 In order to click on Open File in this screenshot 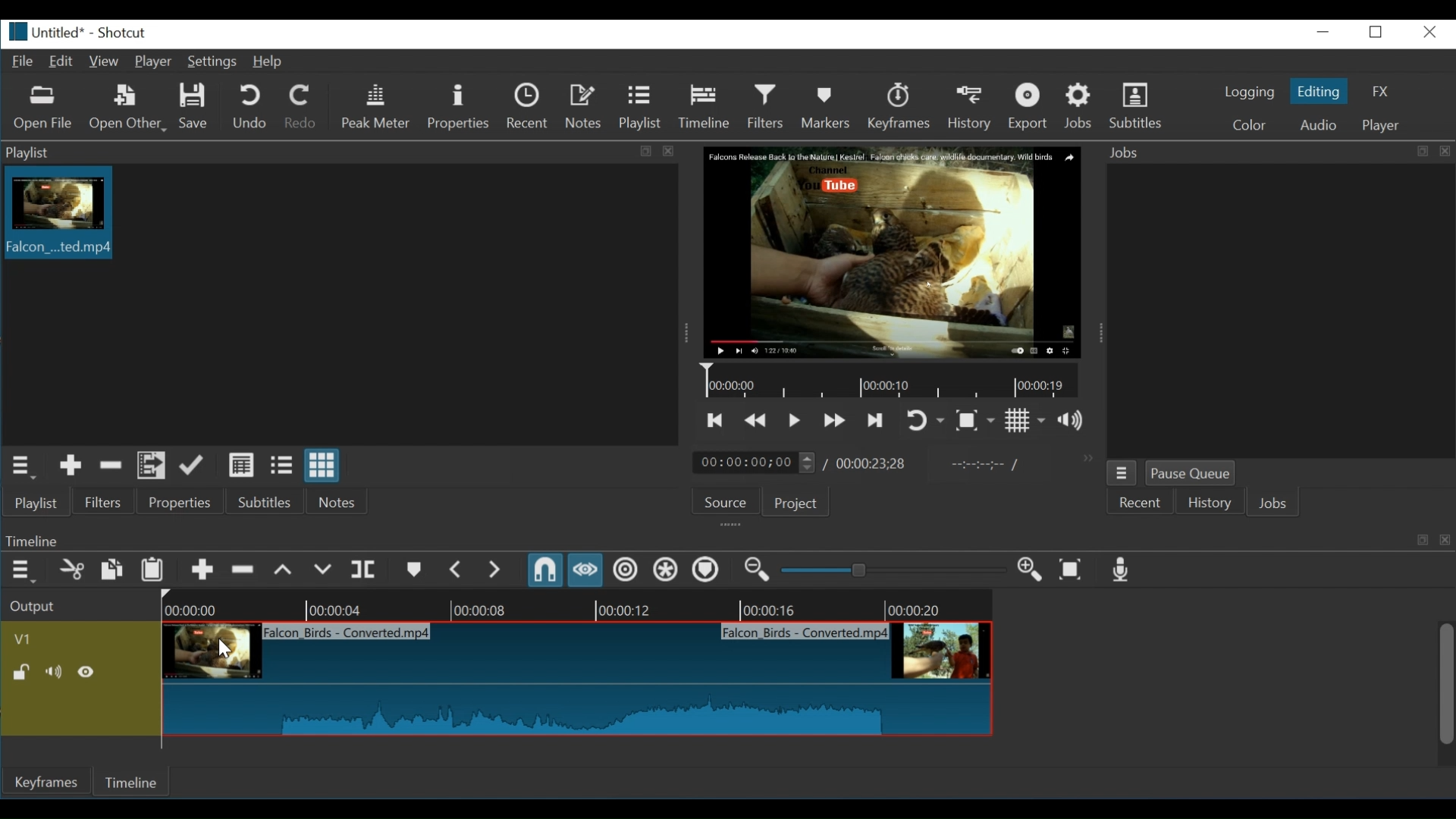, I will do `click(43, 110)`.